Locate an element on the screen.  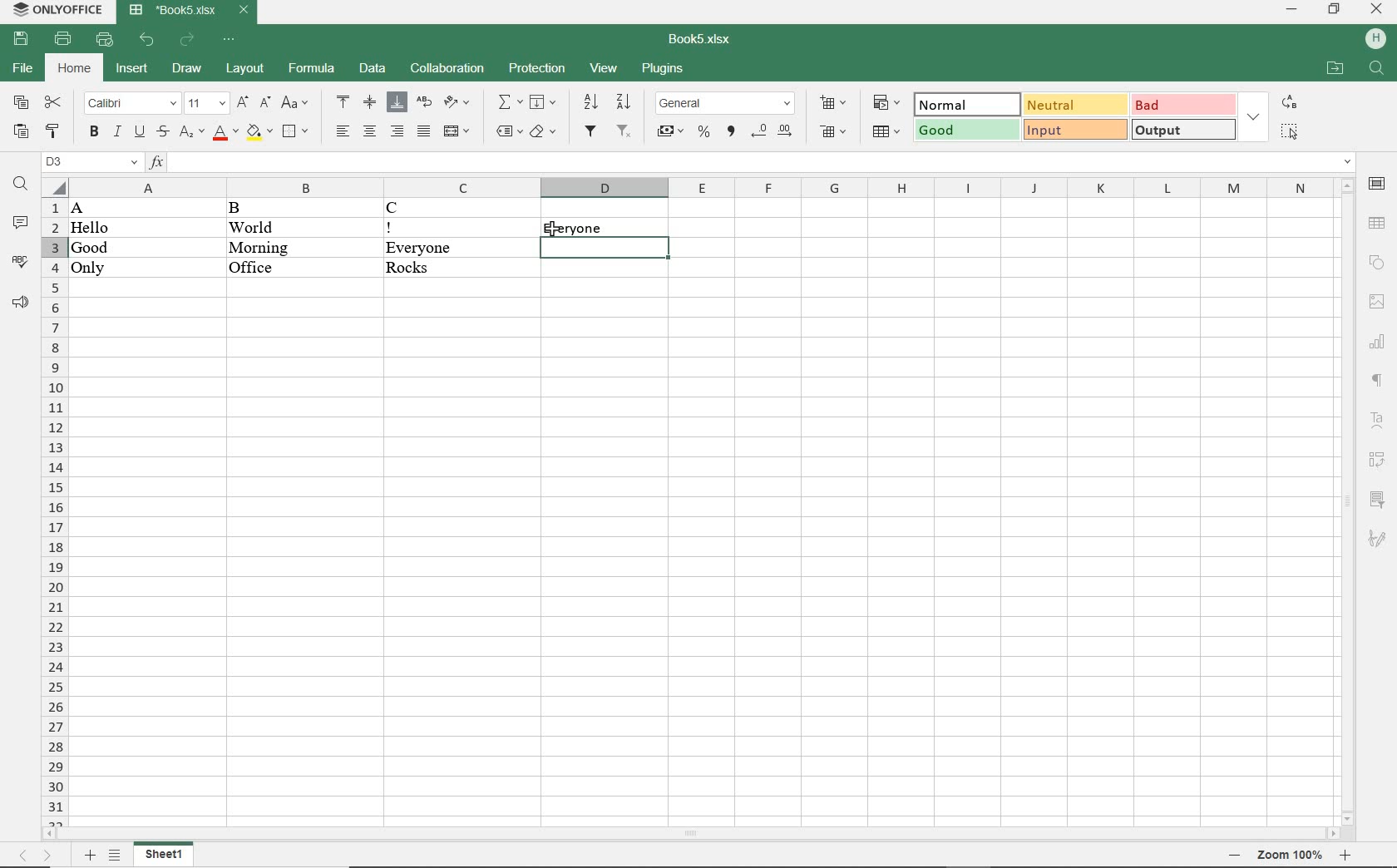
neutral is located at coordinates (1074, 106).